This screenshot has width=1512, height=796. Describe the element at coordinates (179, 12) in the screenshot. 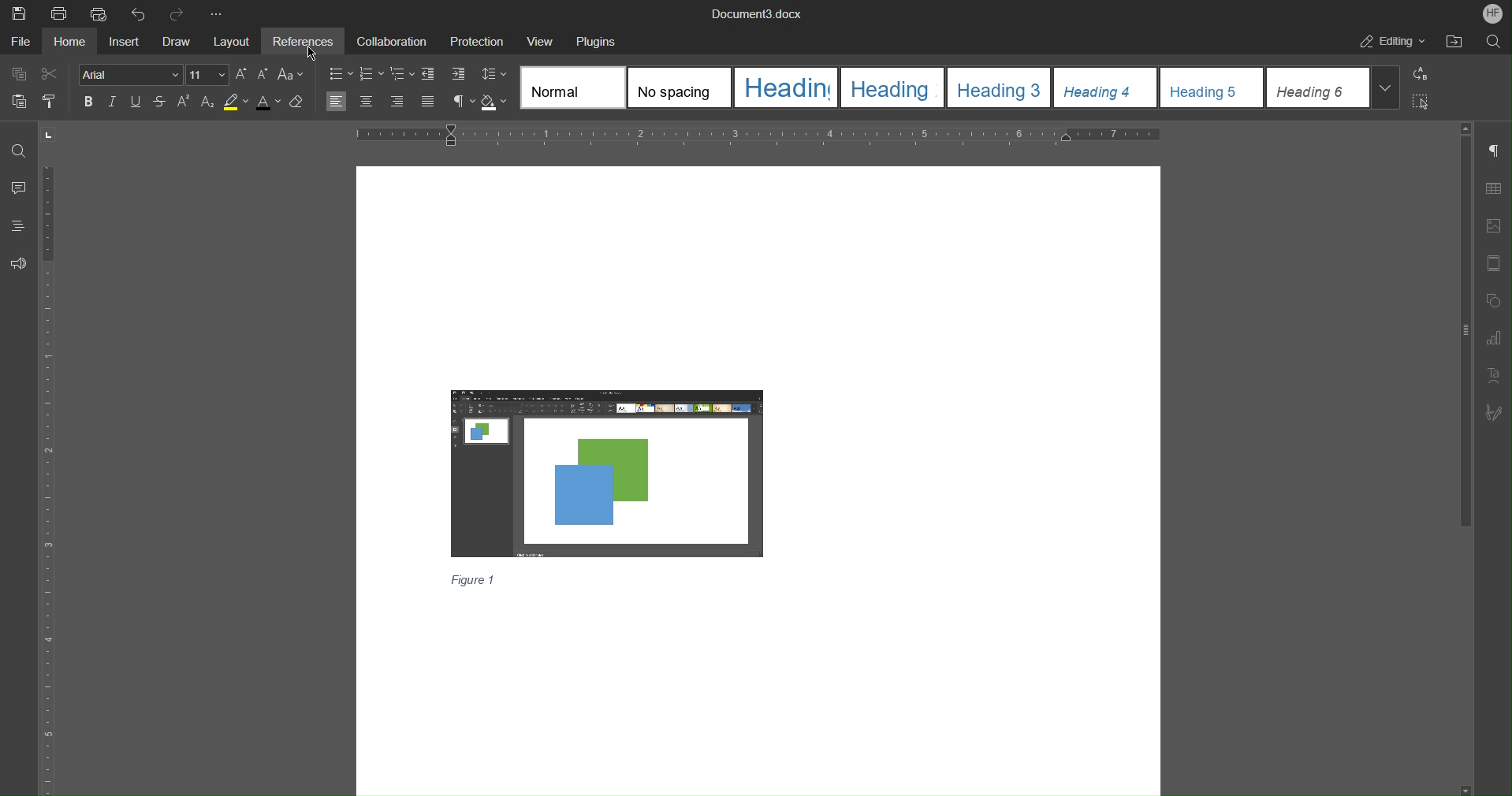

I see `Redo` at that location.